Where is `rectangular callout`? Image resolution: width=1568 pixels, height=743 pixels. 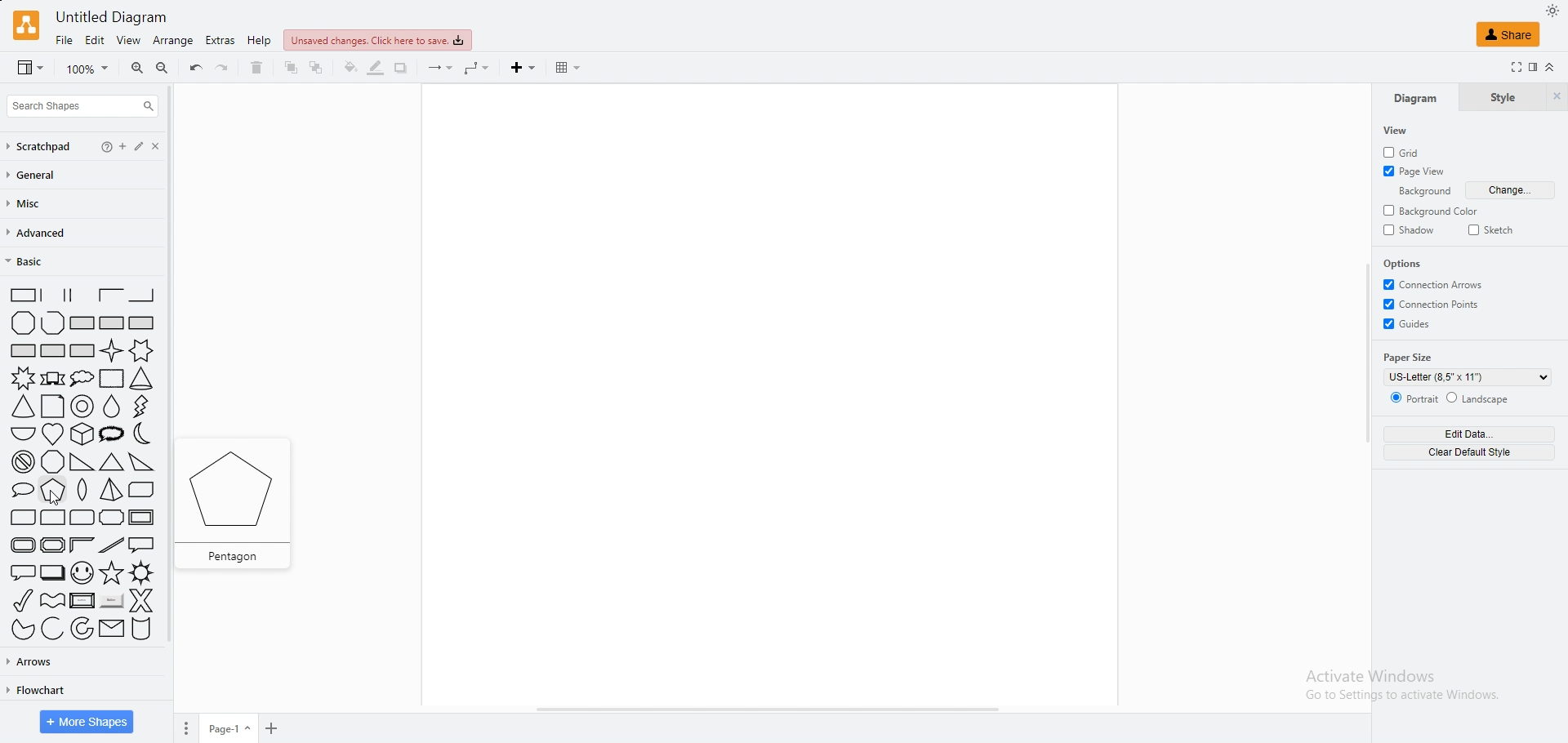
rectangular callout is located at coordinates (143, 545).